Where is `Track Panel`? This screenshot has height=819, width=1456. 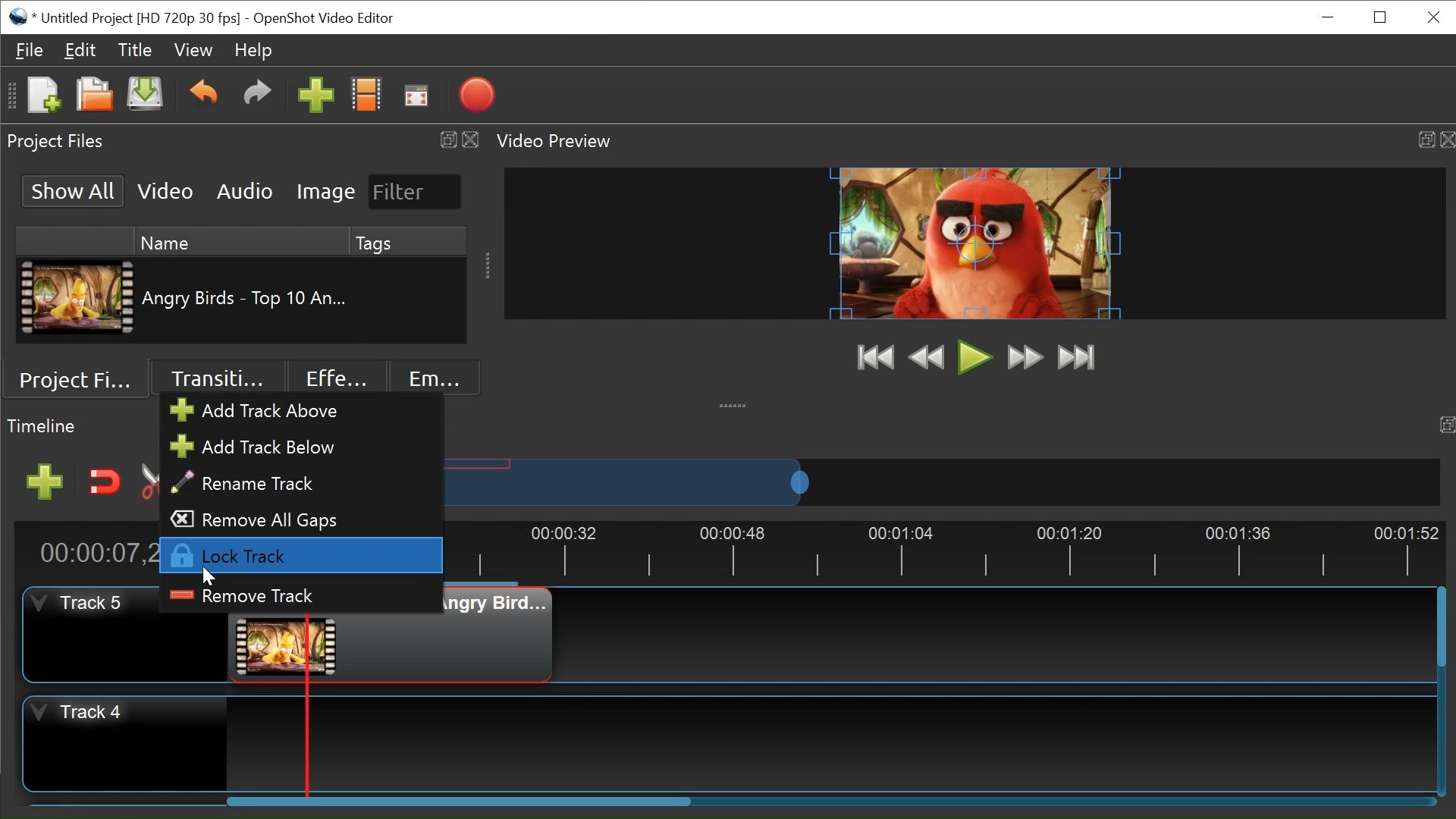
Track Panel is located at coordinates (823, 743).